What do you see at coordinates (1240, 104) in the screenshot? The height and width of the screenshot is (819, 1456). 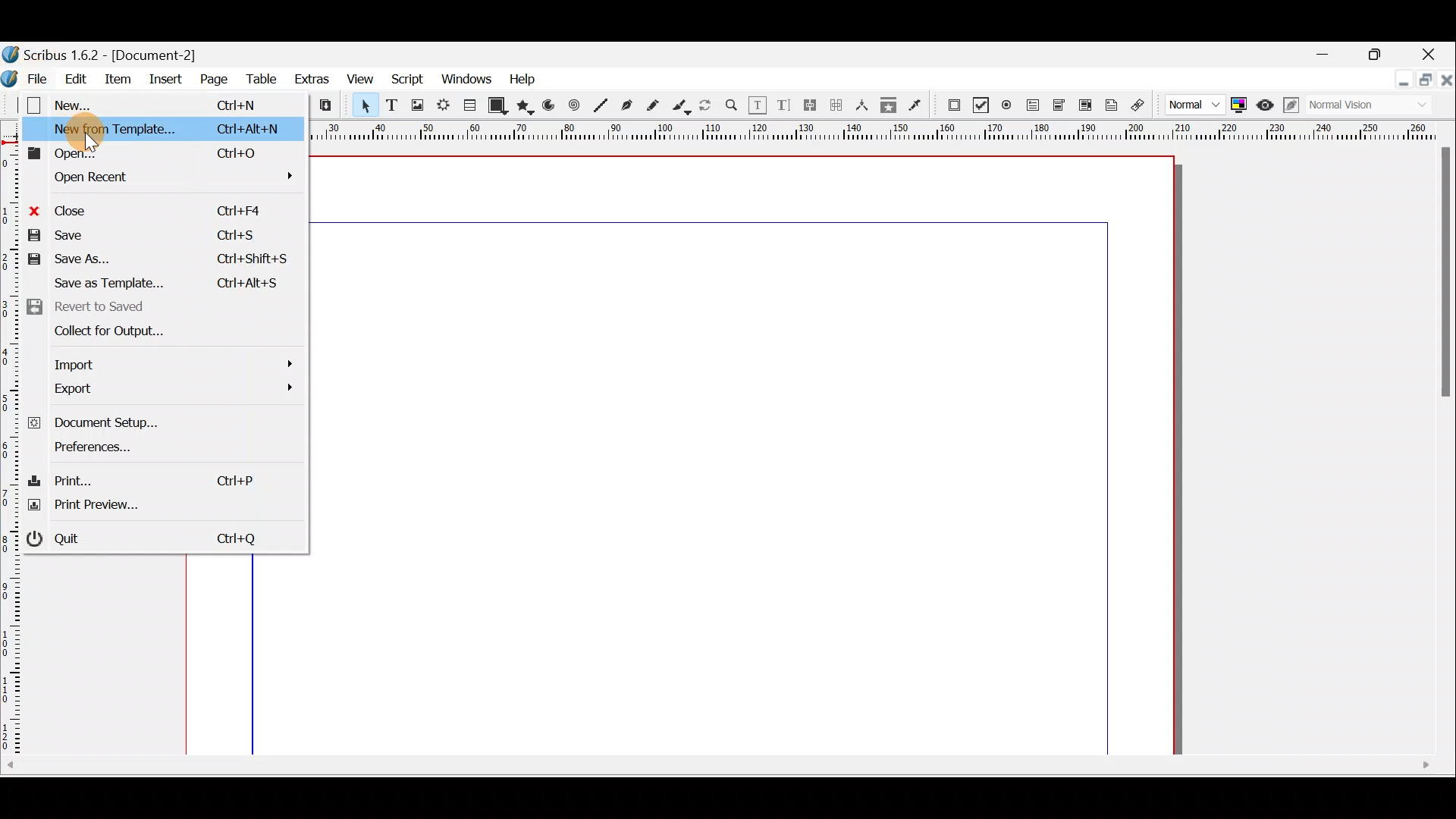 I see `Toggle colour management system` at bounding box center [1240, 104].